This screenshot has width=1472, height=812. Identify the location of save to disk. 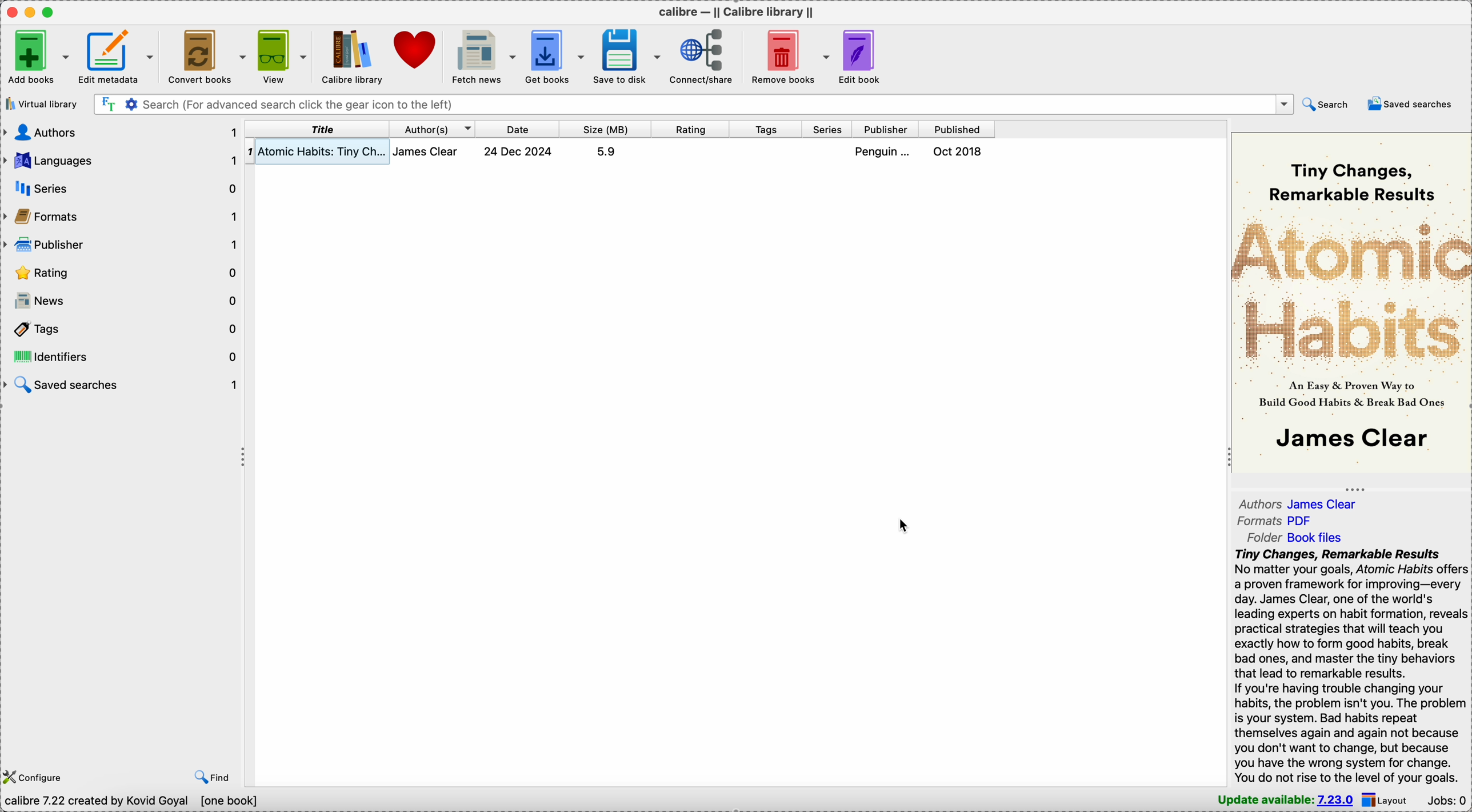
(629, 55).